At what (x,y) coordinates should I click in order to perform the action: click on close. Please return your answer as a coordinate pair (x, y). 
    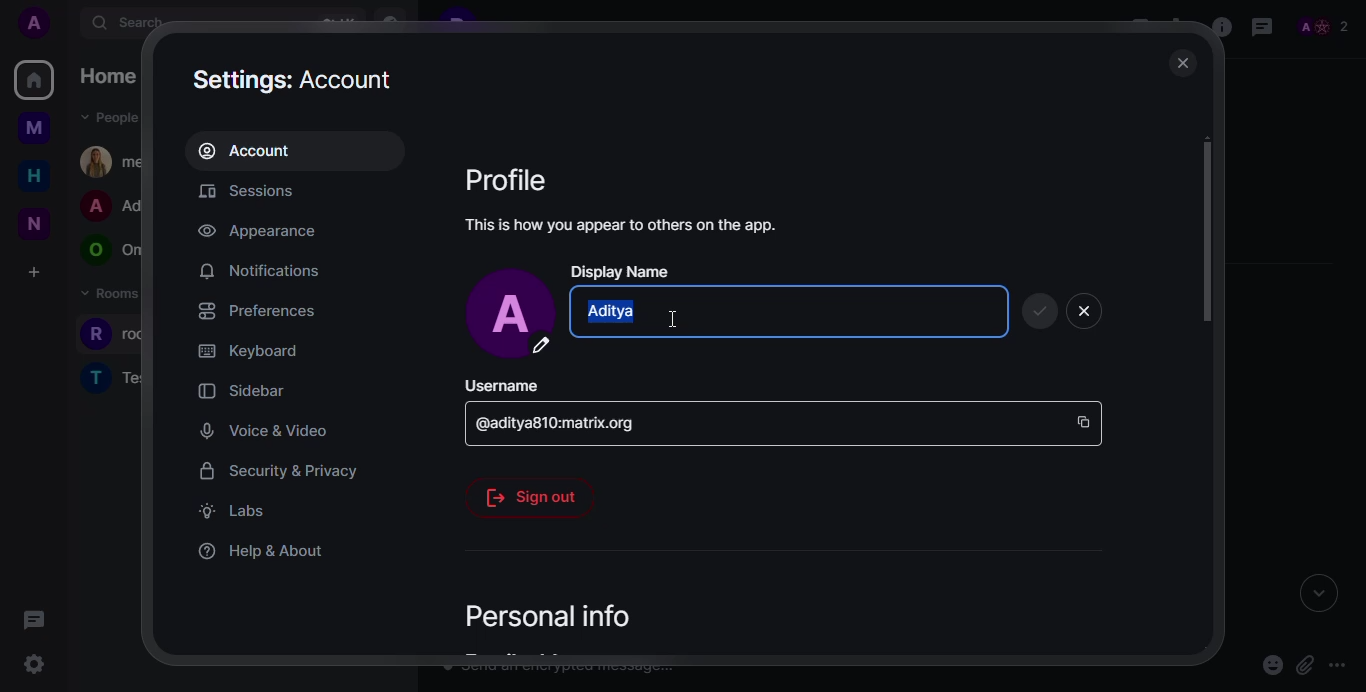
    Looking at the image, I should click on (1084, 310).